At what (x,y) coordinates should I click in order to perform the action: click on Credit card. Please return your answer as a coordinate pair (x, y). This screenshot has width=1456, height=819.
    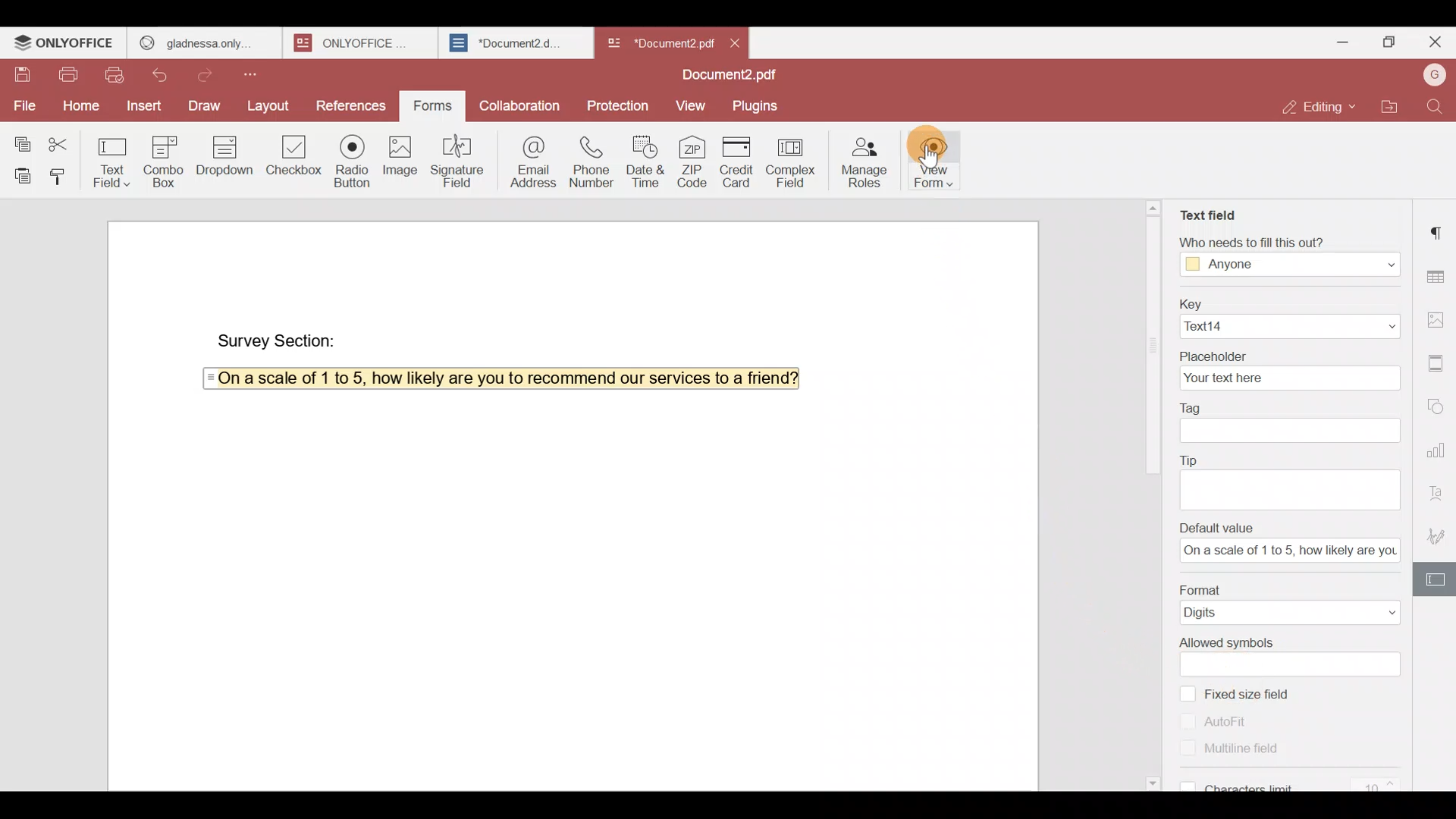
    Looking at the image, I should click on (739, 162).